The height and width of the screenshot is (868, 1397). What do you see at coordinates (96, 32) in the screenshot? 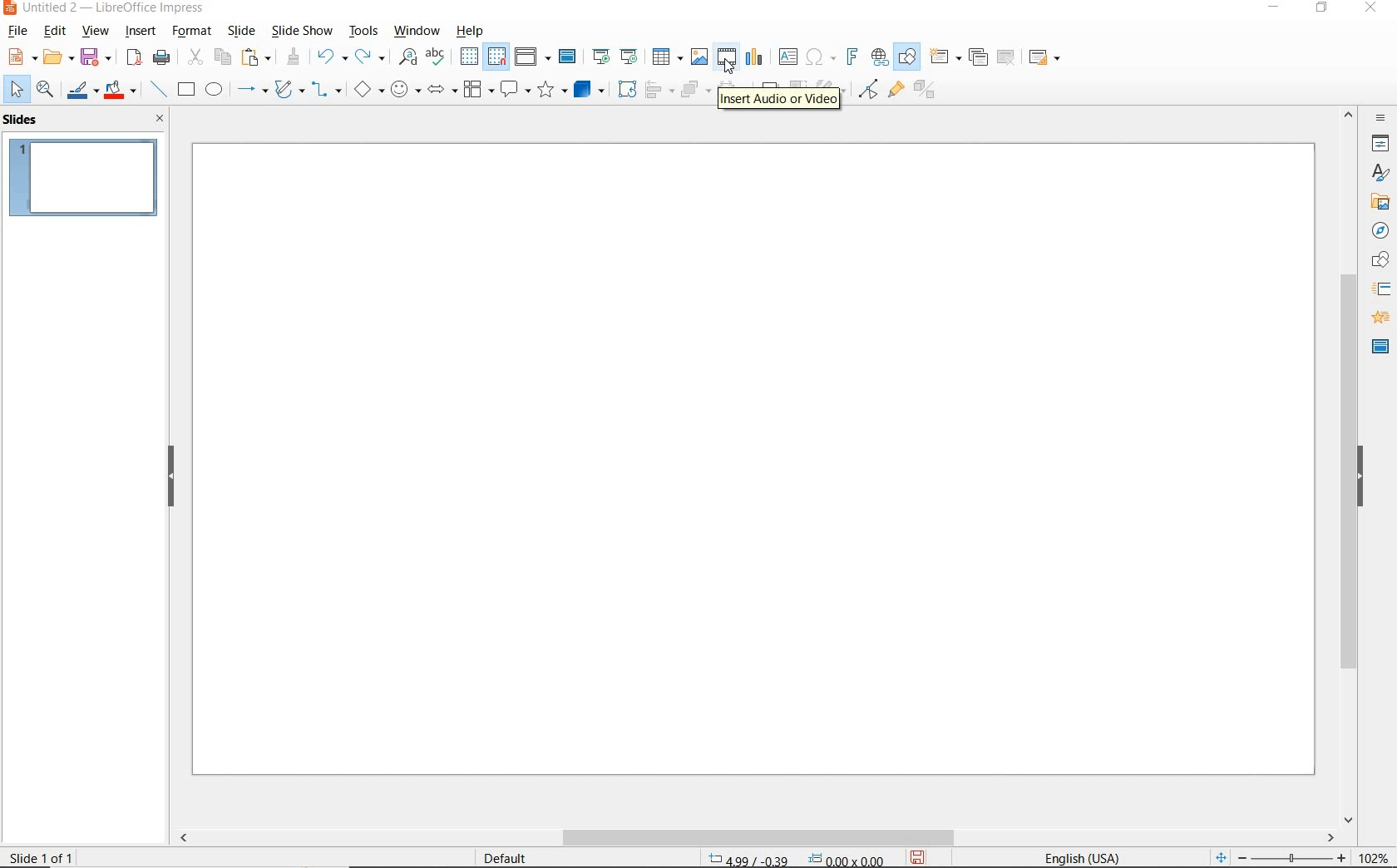
I see `VIEW` at bounding box center [96, 32].